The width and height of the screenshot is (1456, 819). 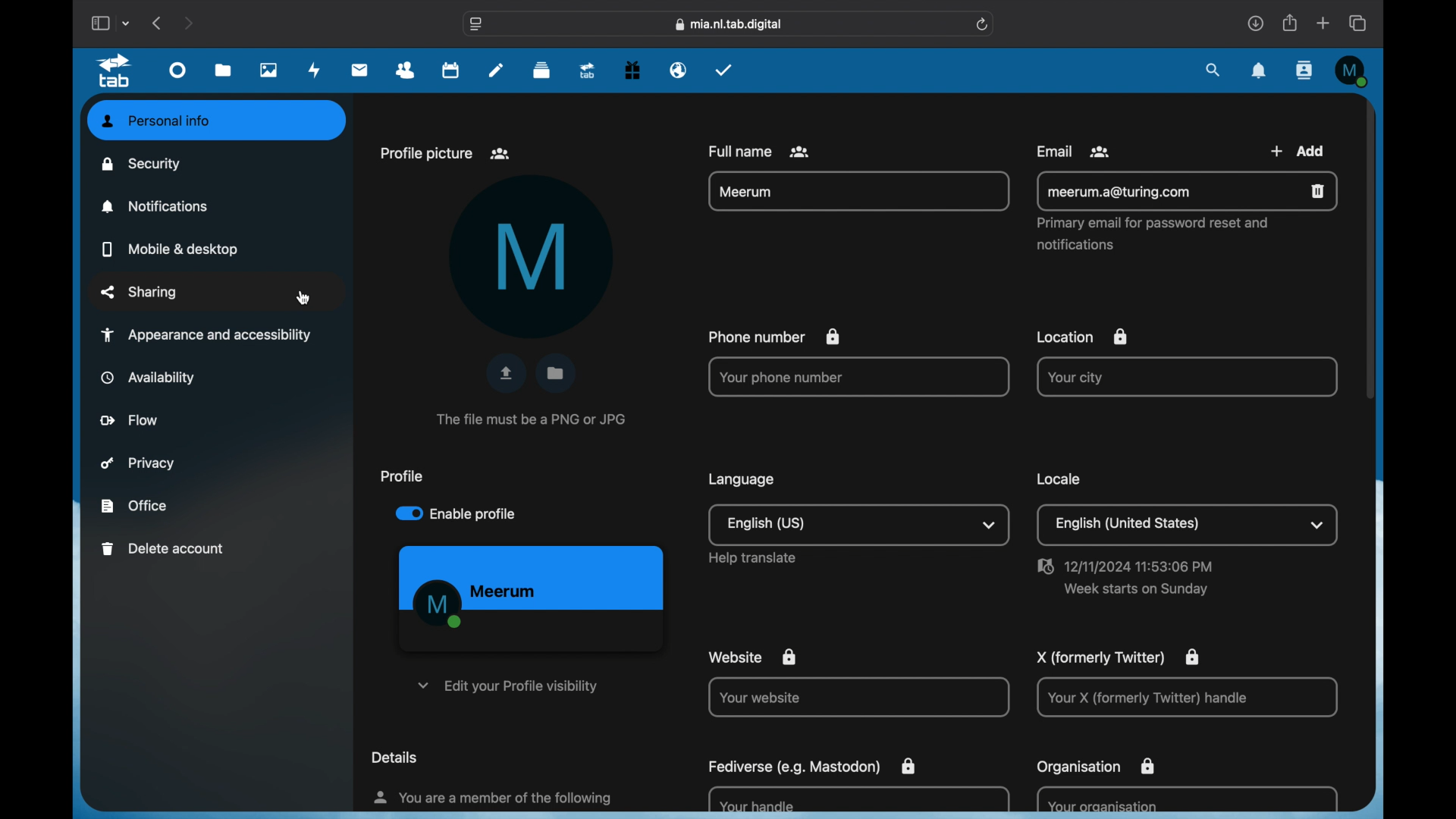 I want to click on previous, so click(x=158, y=23).